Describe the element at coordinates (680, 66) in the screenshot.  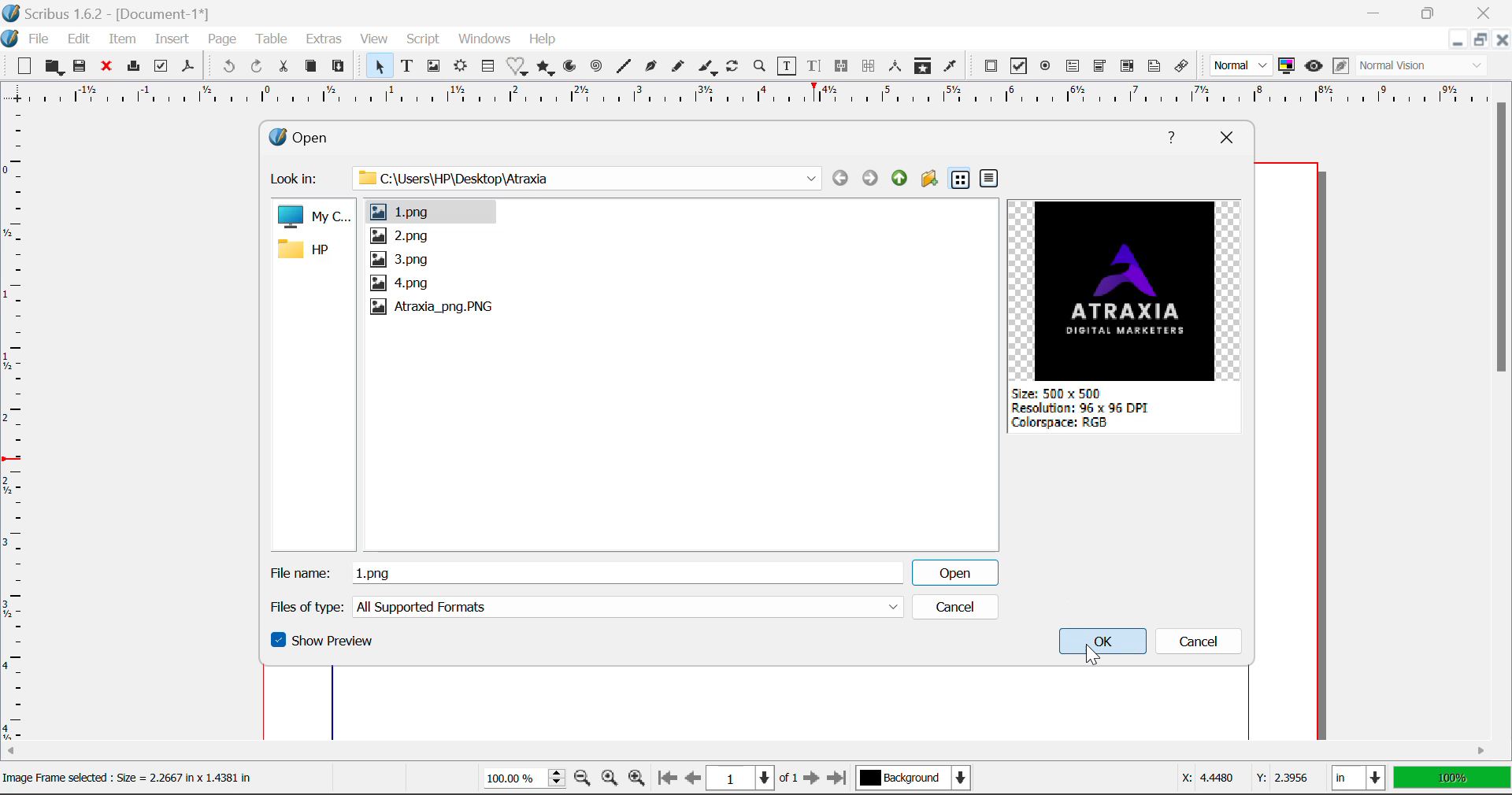
I see `Freehand Curve` at that location.